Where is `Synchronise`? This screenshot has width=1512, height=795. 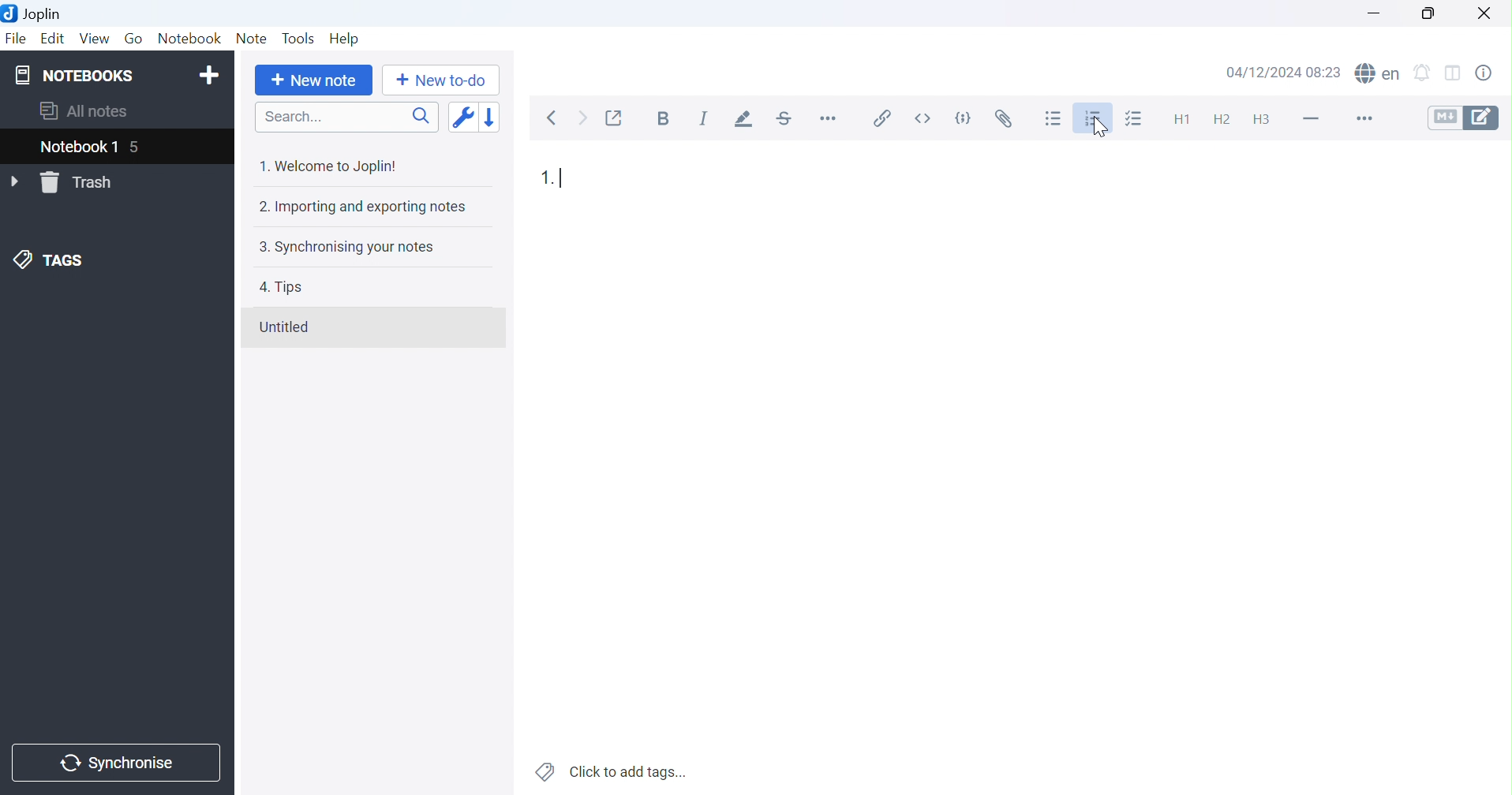 Synchronise is located at coordinates (118, 763).